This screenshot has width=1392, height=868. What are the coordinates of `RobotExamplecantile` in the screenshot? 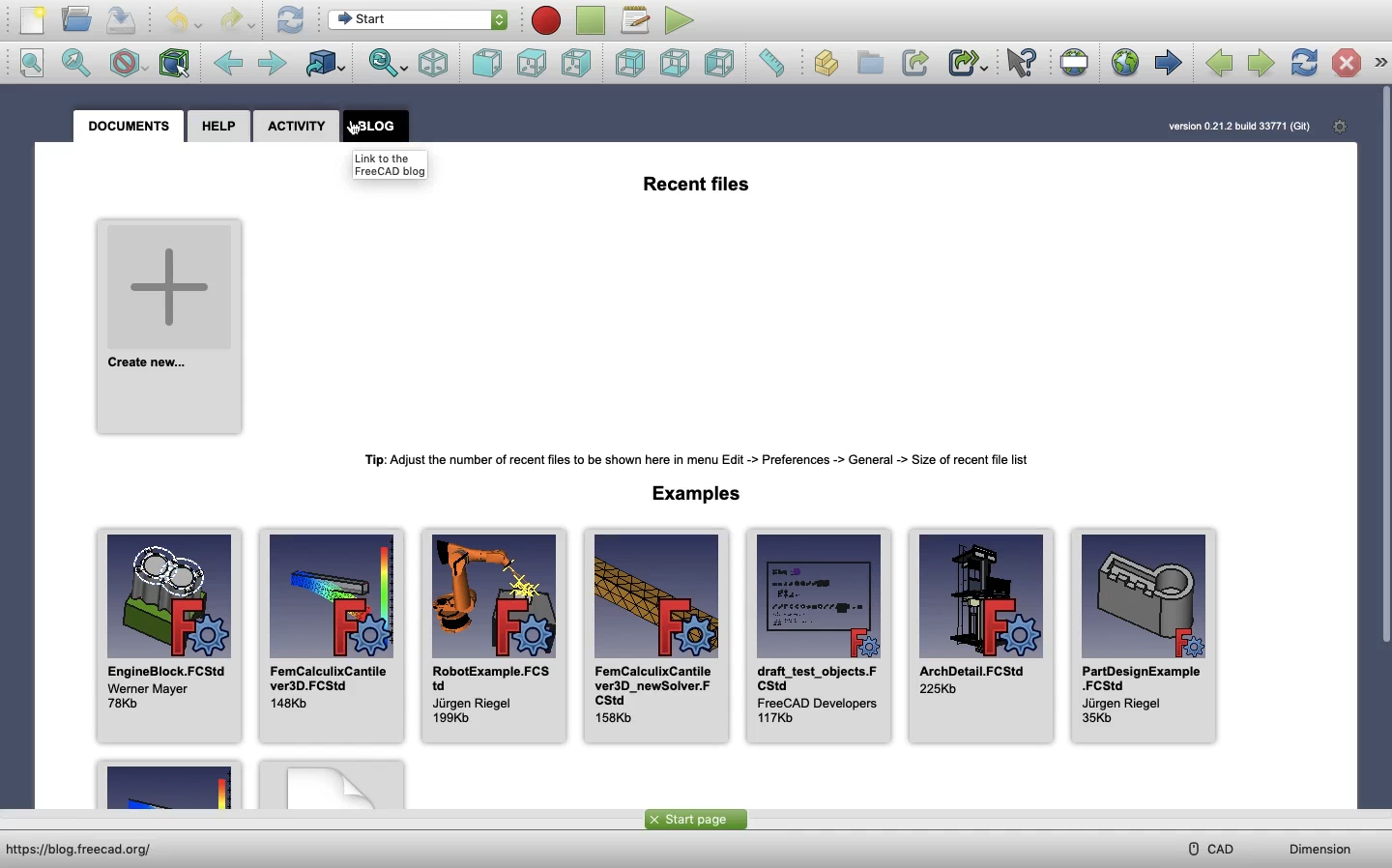 It's located at (657, 634).